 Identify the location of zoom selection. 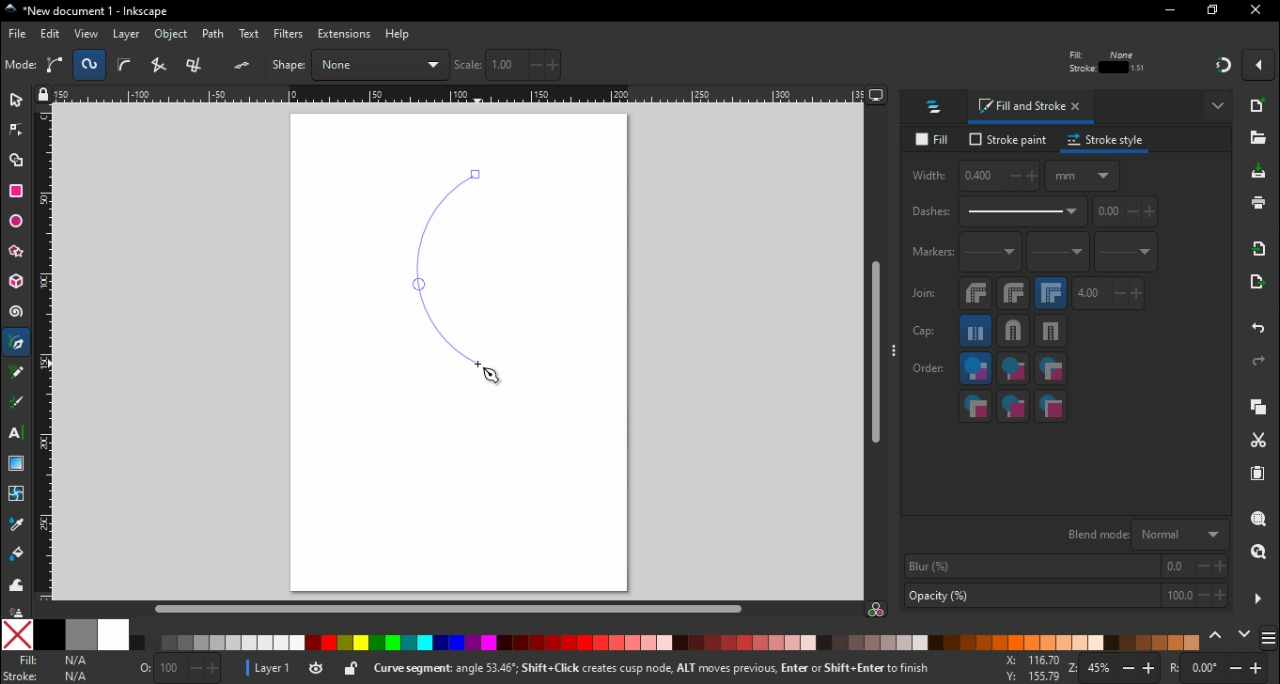
(1261, 520).